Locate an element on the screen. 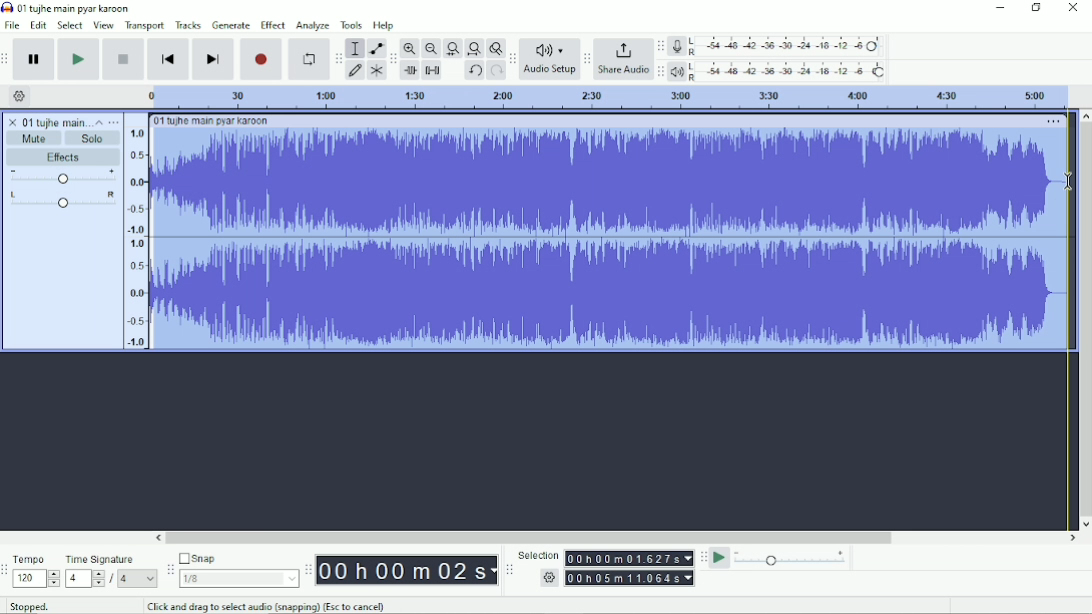 The height and width of the screenshot is (614, 1092). Collapse is located at coordinates (99, 122).